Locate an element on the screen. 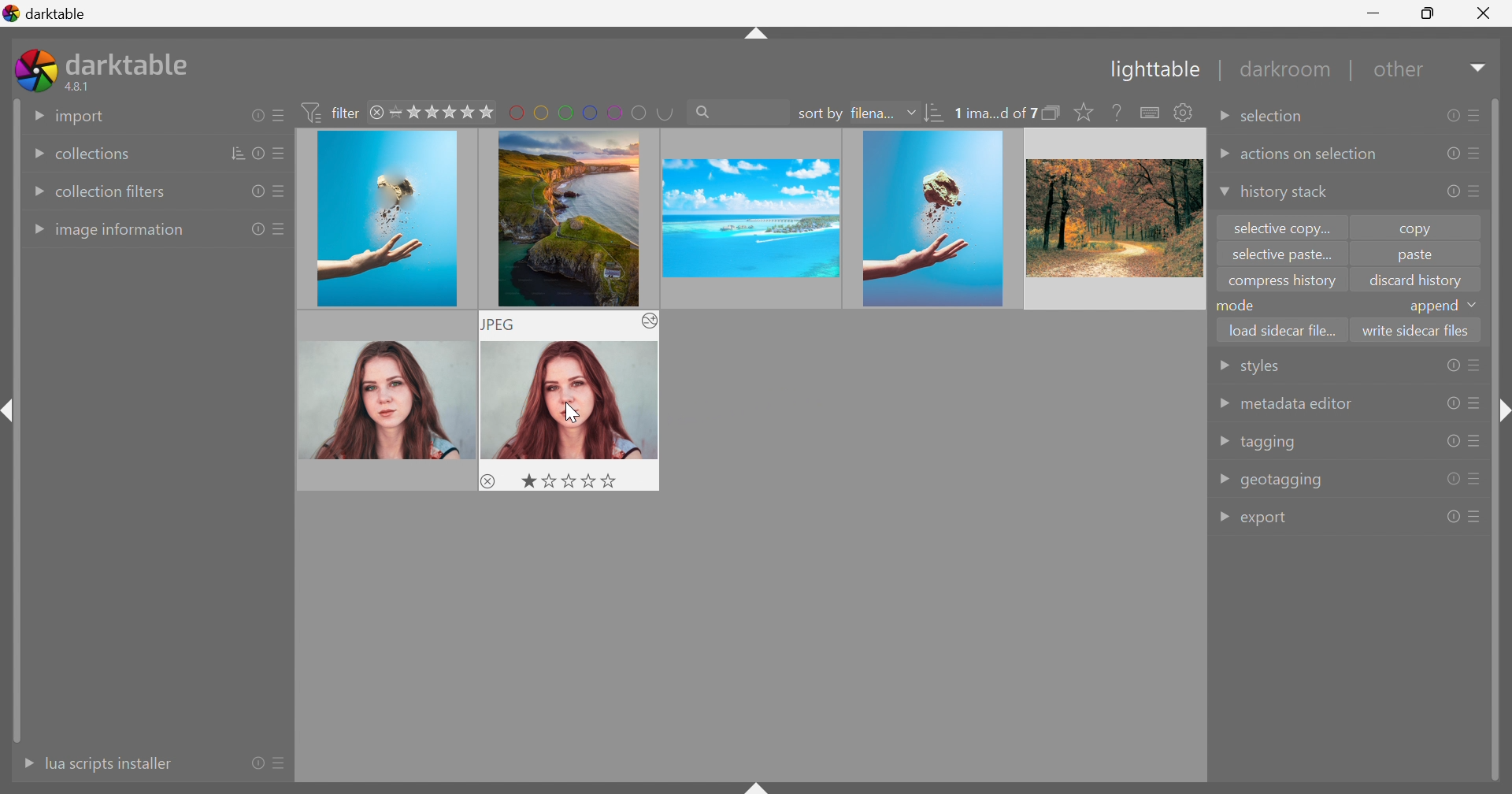  presets is located at coordinates (1476, 365).